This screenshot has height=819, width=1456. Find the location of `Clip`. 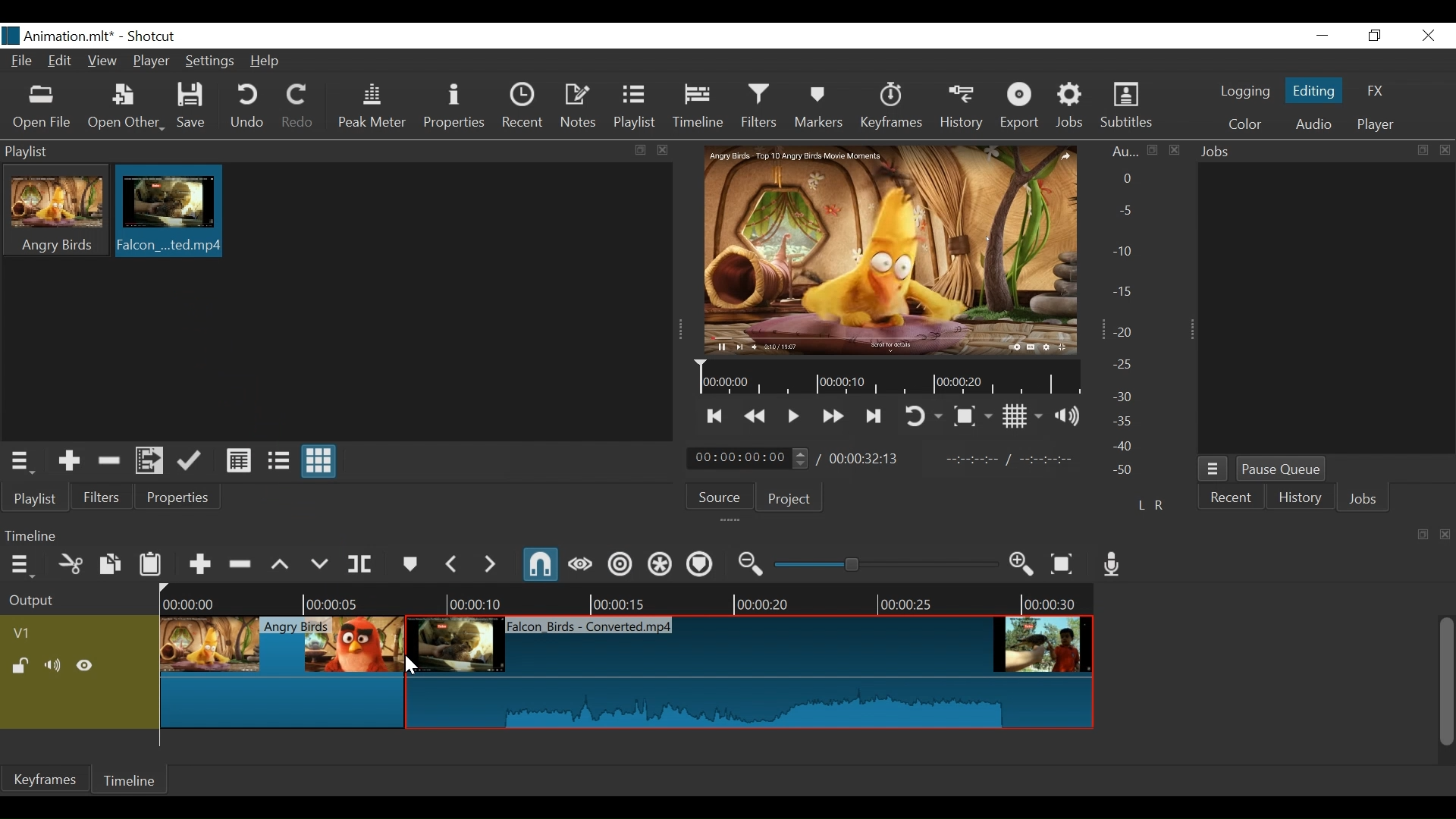

Clip is located at coordinates (168, 212).